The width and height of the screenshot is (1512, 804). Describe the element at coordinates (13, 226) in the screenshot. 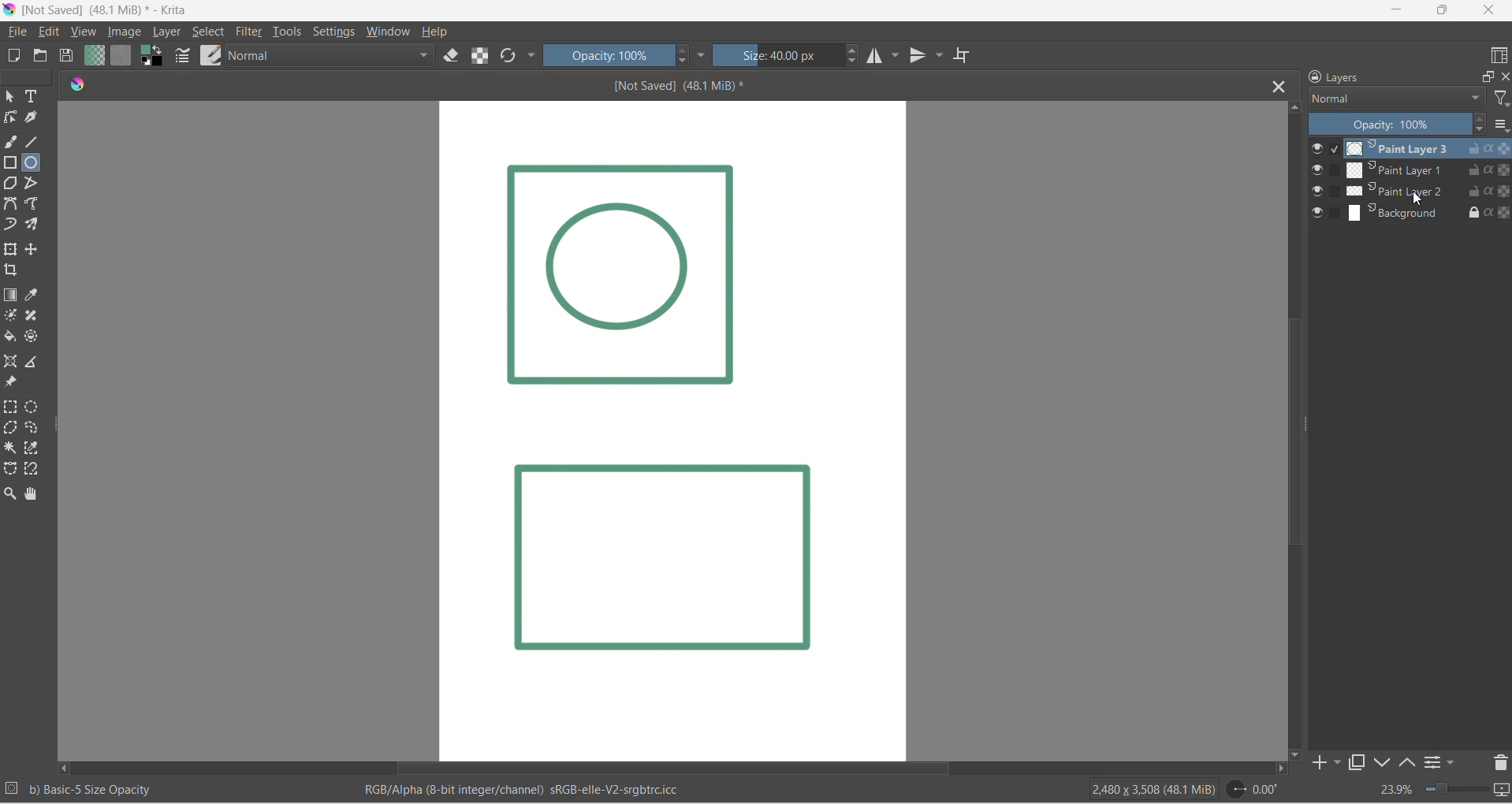

I see `dynamic brush tool` at that location.